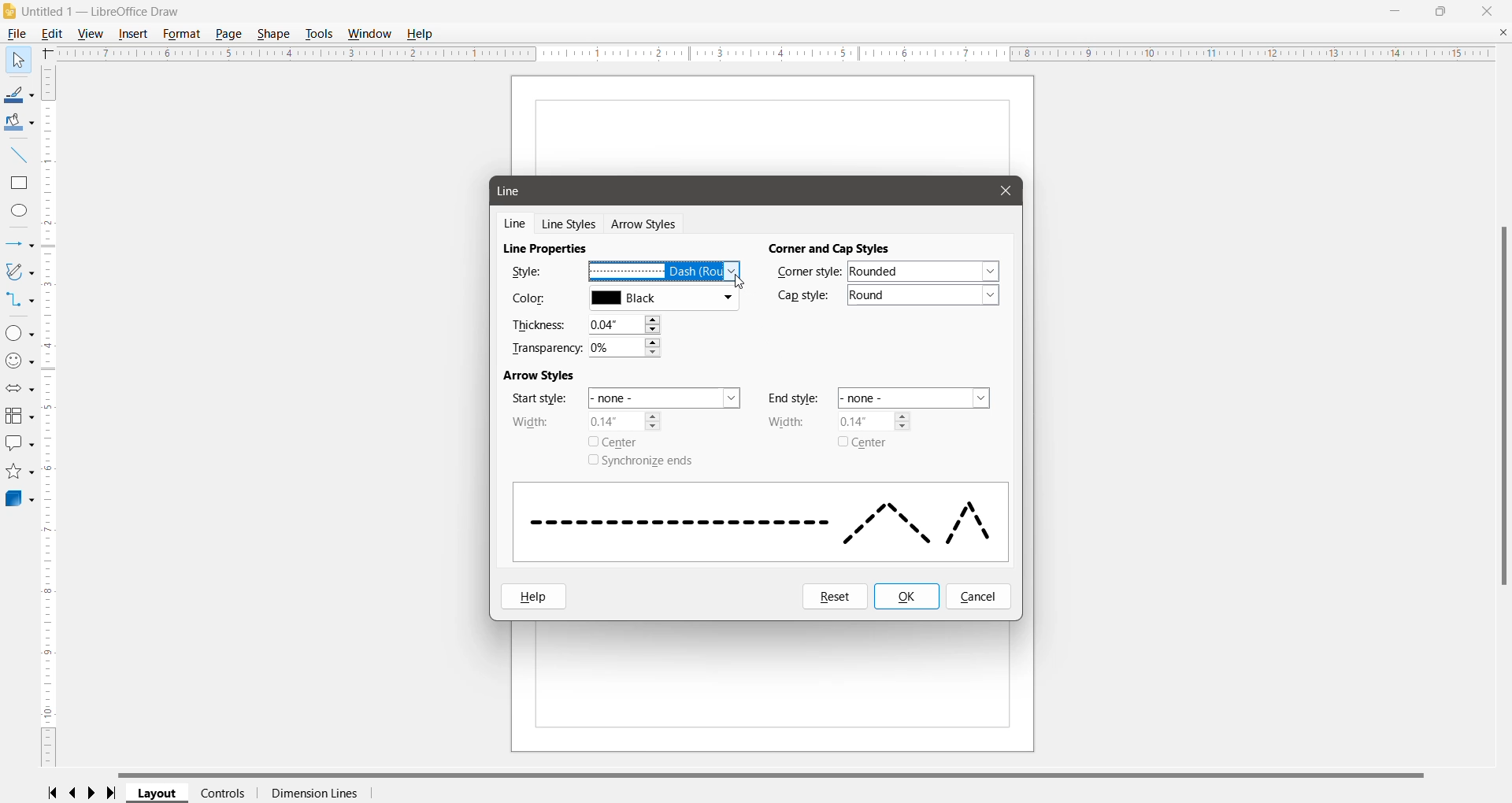  Describe the element at coordinates (20, 498) in the screenshot. I see `3D Objects` at that location.